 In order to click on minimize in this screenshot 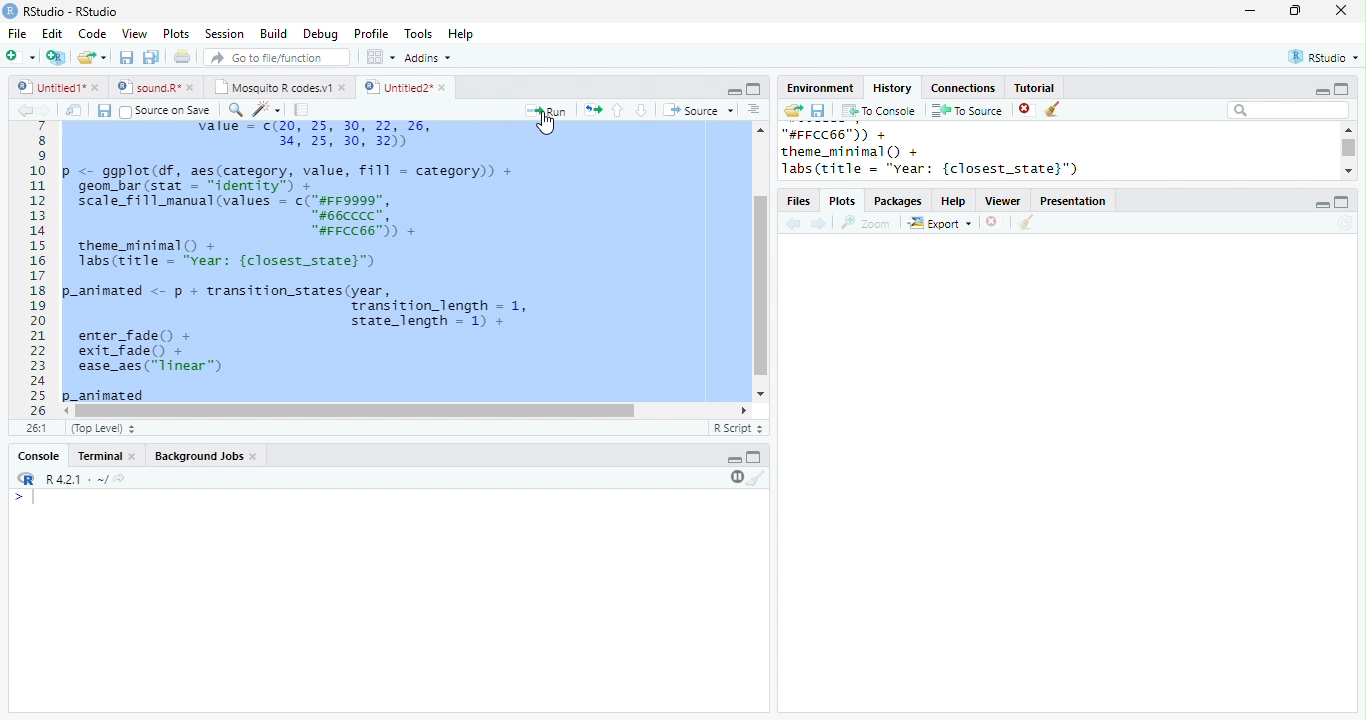, I will do `click(1321, 91)`.